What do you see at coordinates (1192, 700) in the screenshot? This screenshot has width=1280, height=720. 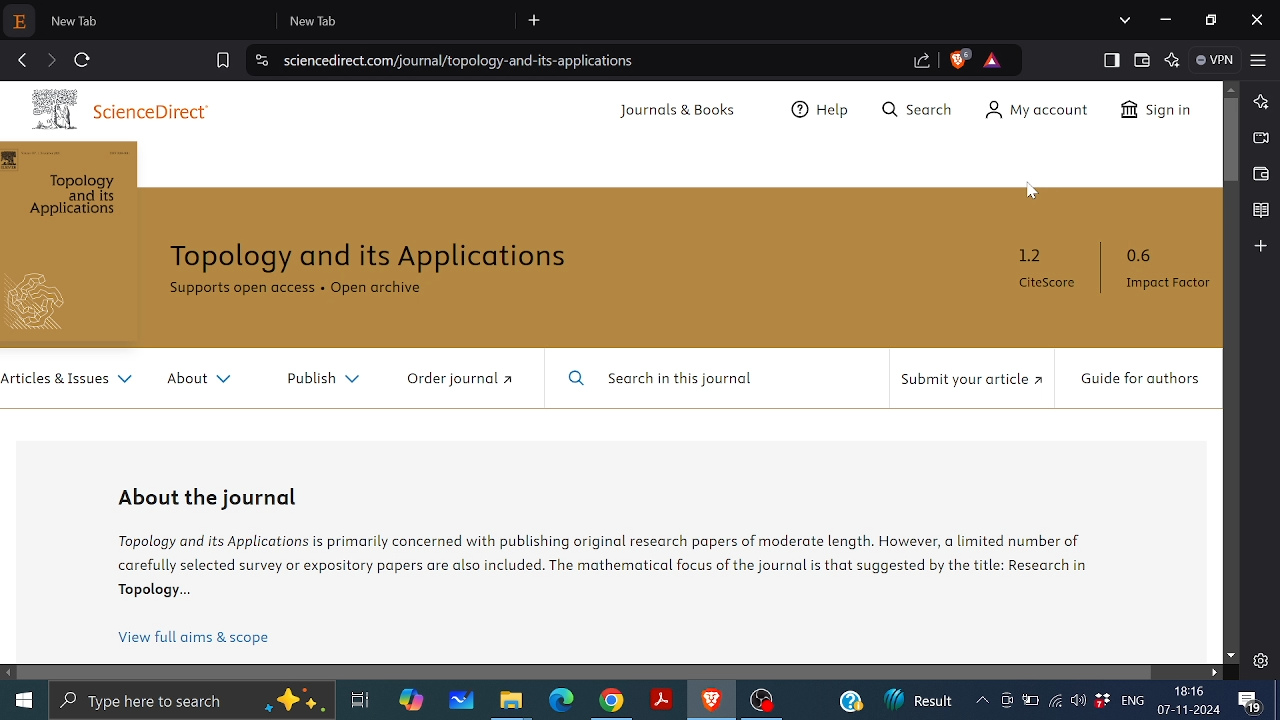 I see `Date and time` at bounding box center [1192, 700].